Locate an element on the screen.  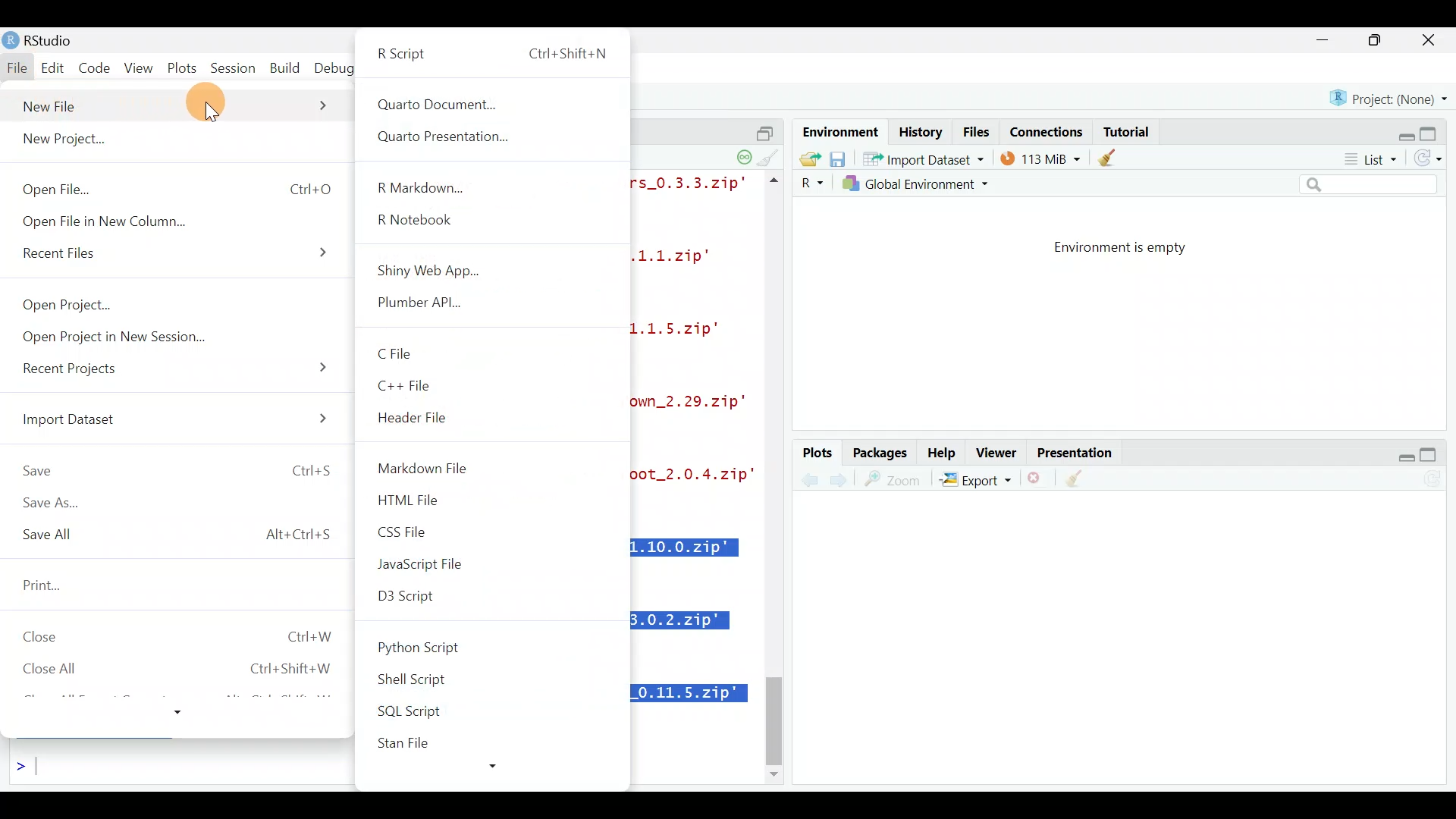
Presentation is located at coordinates (1078, 453).